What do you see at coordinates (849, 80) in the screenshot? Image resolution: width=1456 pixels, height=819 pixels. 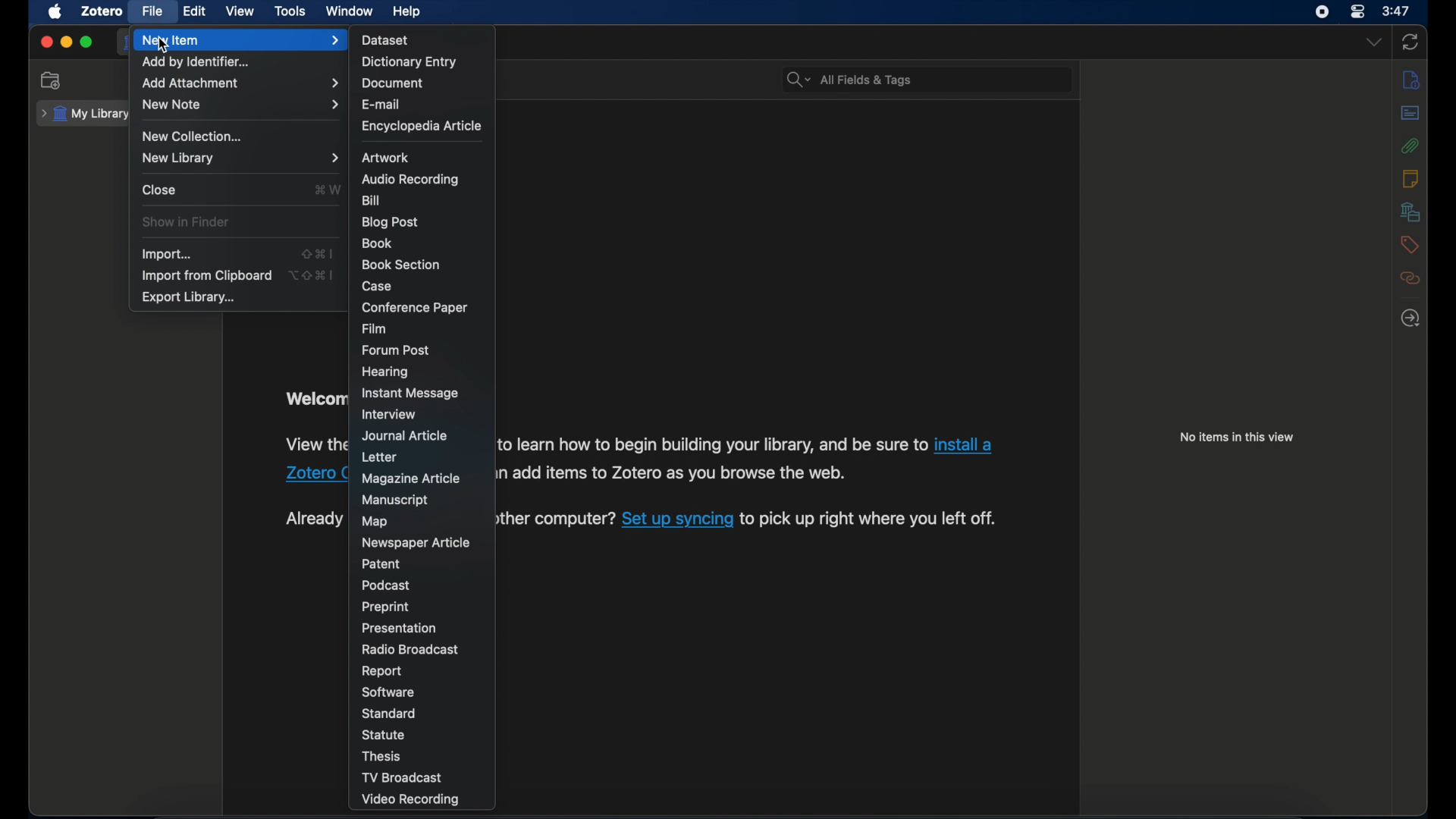 I see `search bar` at bounding box center [849, 80].